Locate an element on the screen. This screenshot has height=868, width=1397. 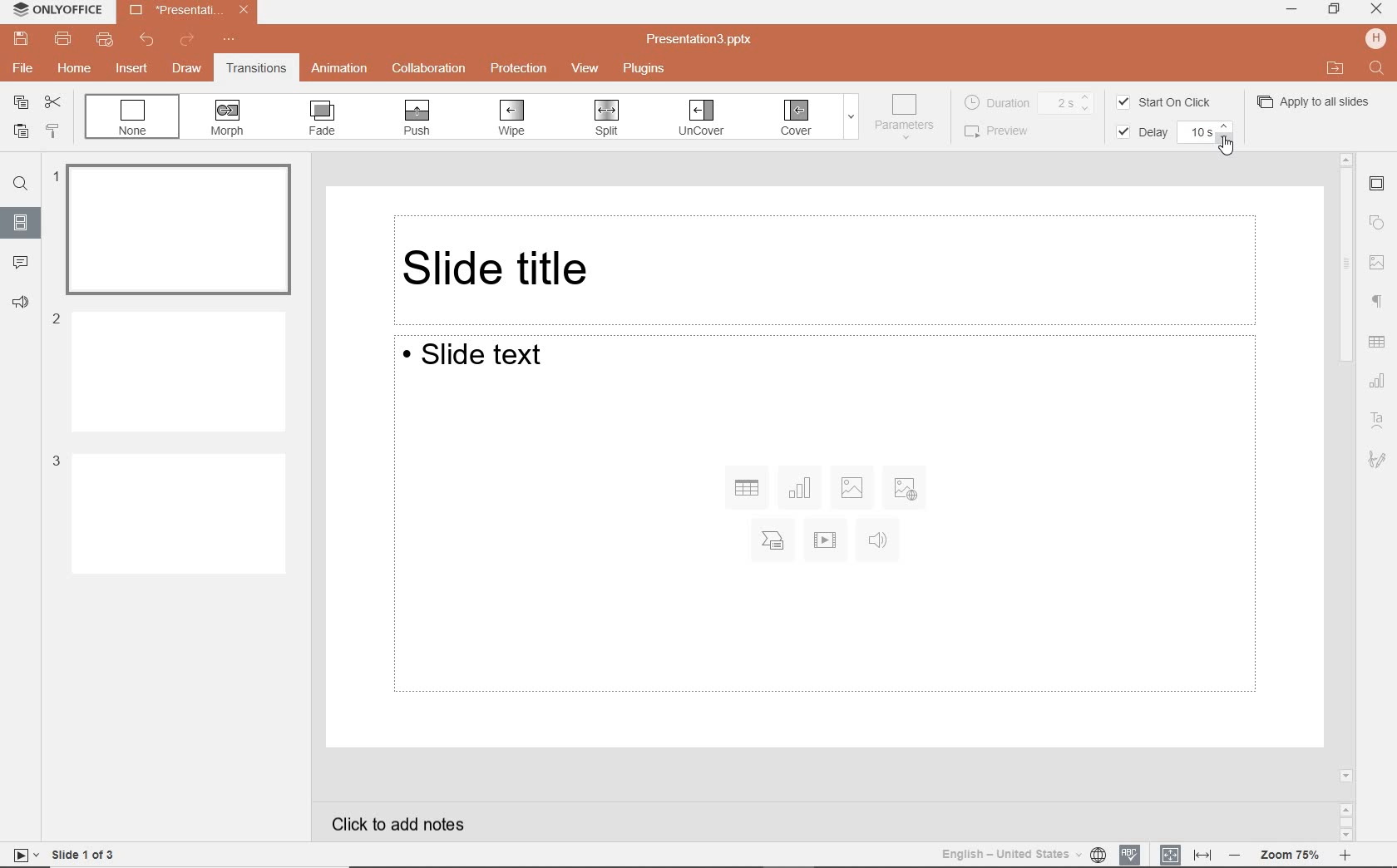
DELAY BOX CHECKED is located at coordinates (1139, 133).